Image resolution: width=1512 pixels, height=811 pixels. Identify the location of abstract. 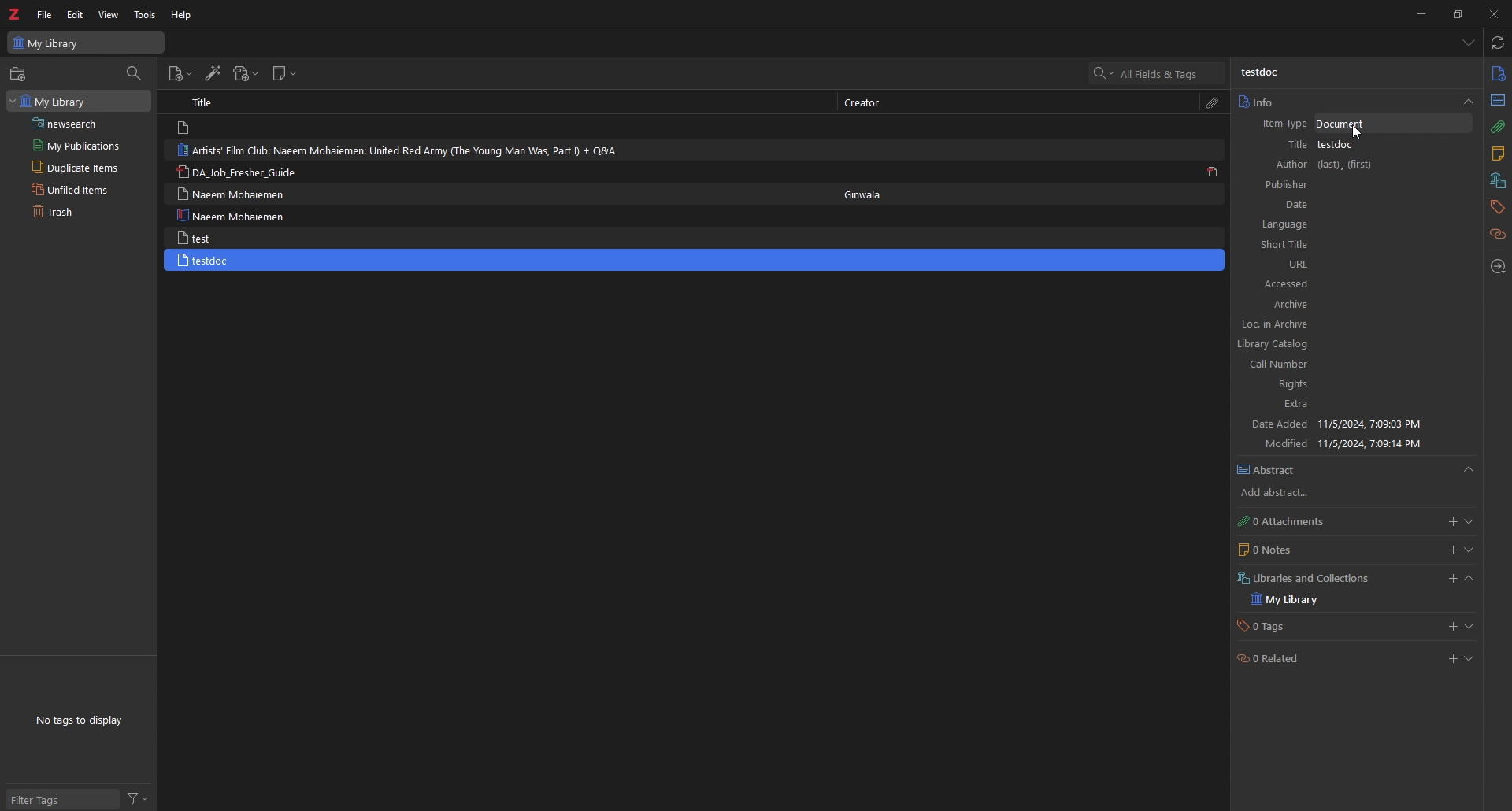
(1497, 102).